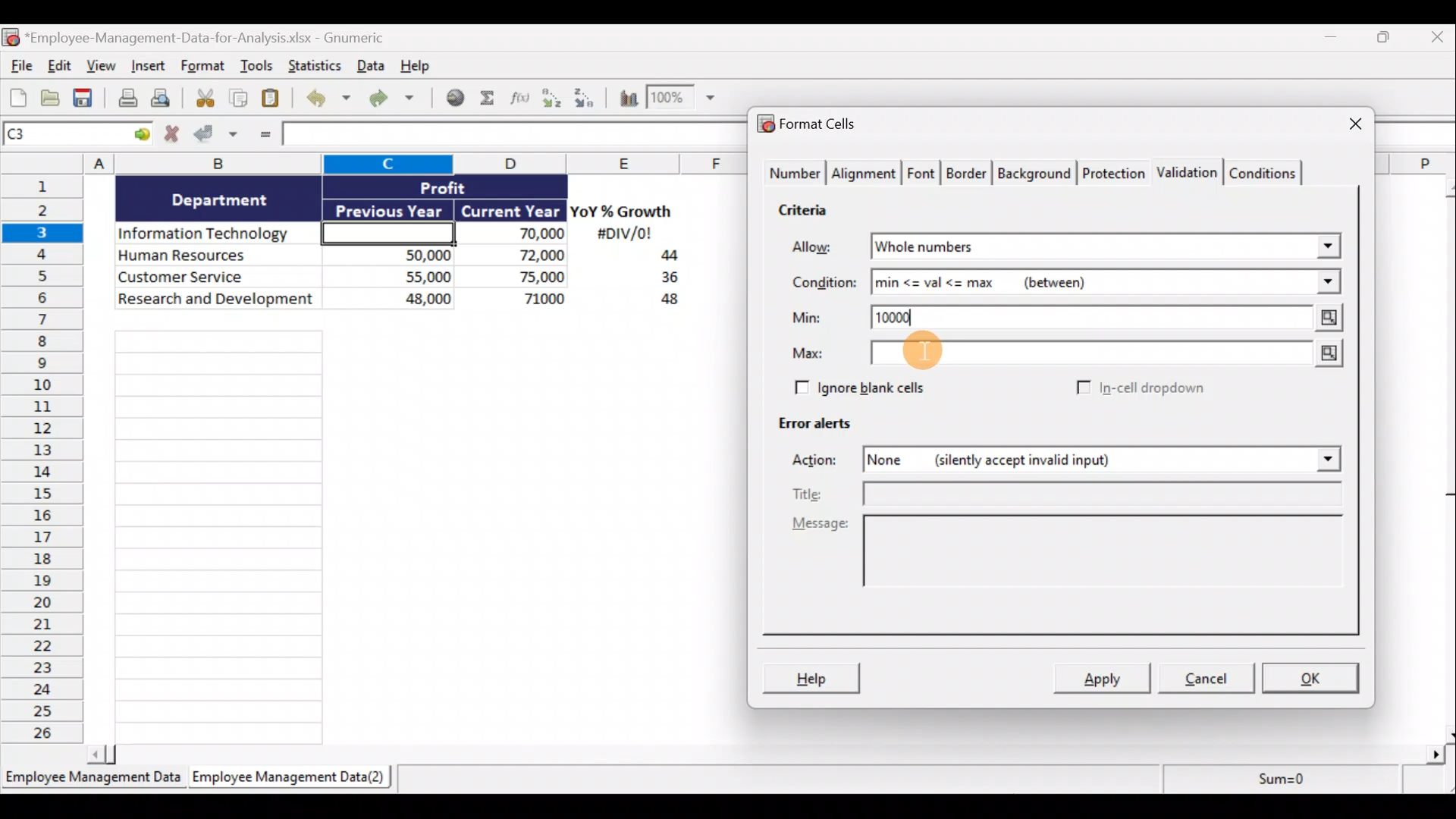 The width and height of the screenshot is (1456, 819). I want to click on Copy selection, so click(239, 99).